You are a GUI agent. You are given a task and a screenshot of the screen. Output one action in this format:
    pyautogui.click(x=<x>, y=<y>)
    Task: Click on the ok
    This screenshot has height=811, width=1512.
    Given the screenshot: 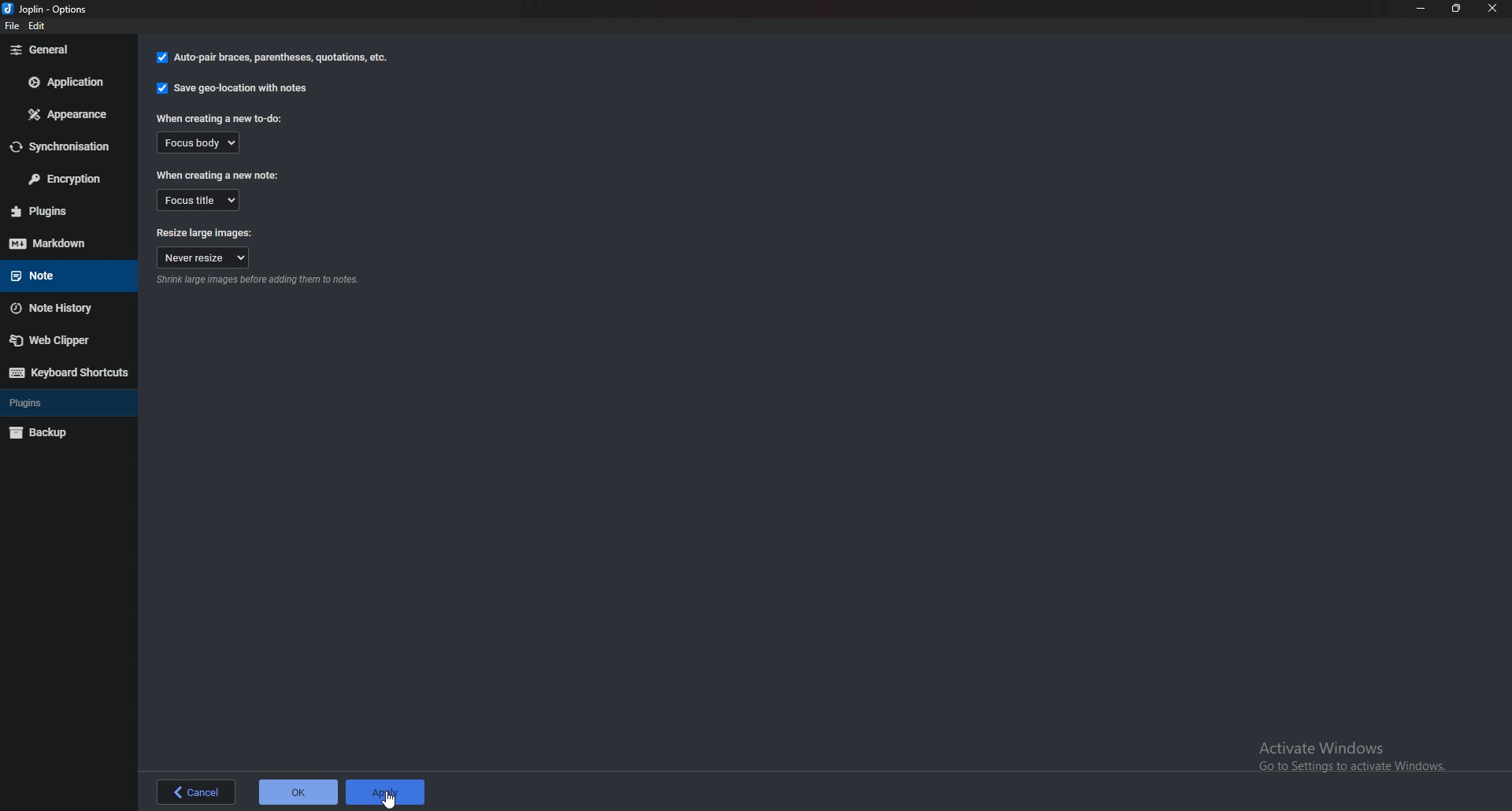 What is the action you would take?
    pyautogui.click(x=298, y=791)
    